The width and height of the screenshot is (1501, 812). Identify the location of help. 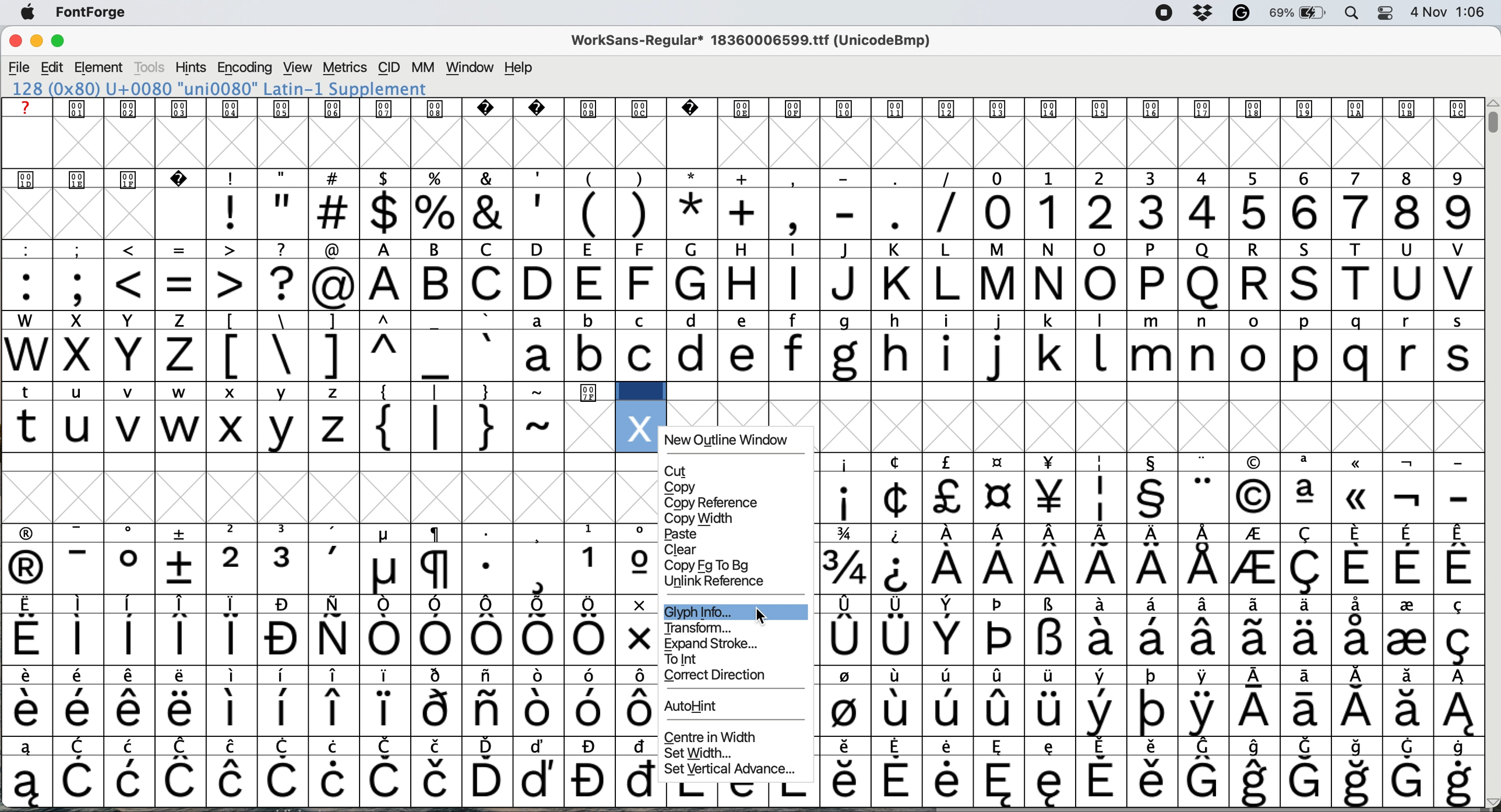
(520, 68).